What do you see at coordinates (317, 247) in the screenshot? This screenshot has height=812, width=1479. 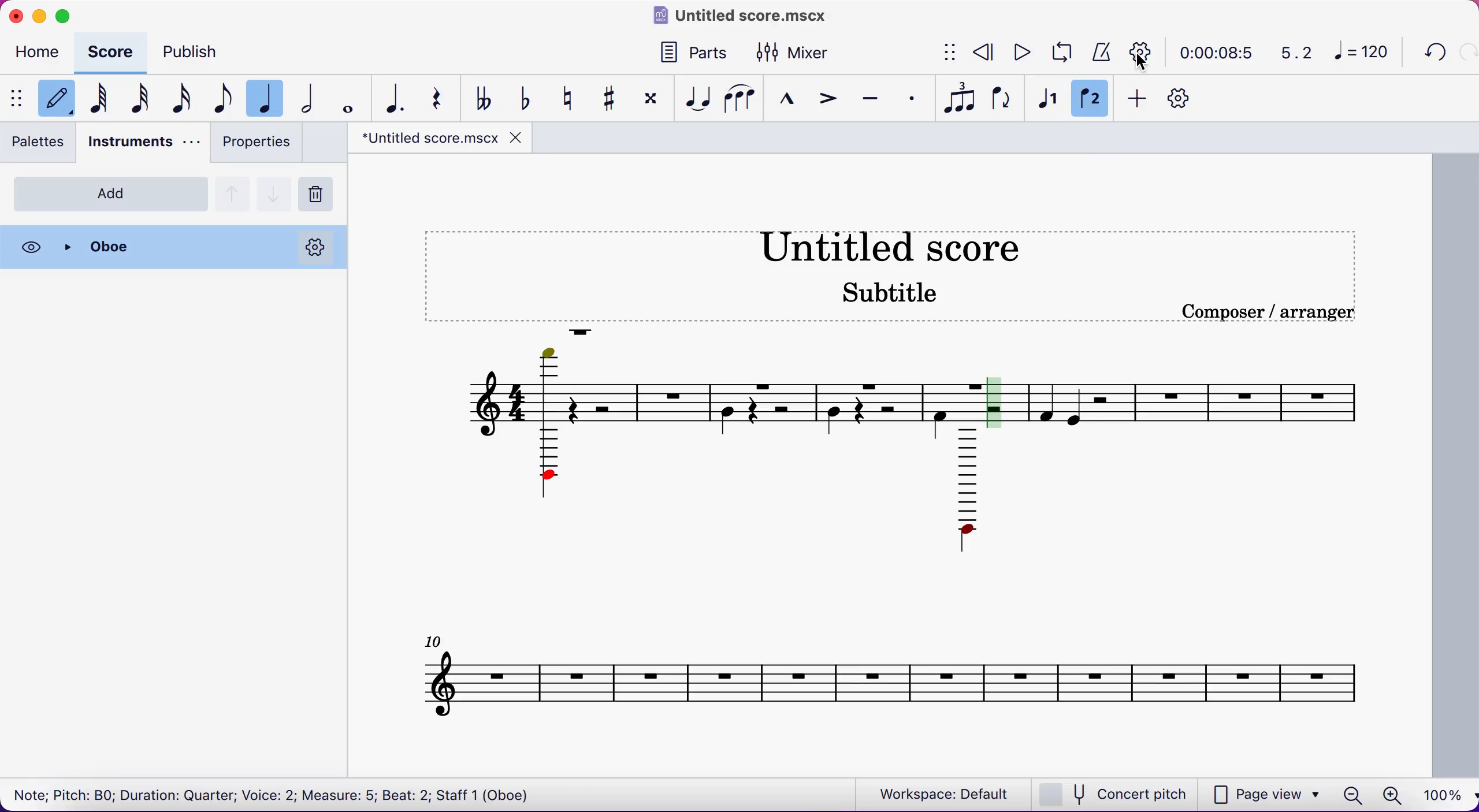 I see `more options` at bounding box center [317, 247].